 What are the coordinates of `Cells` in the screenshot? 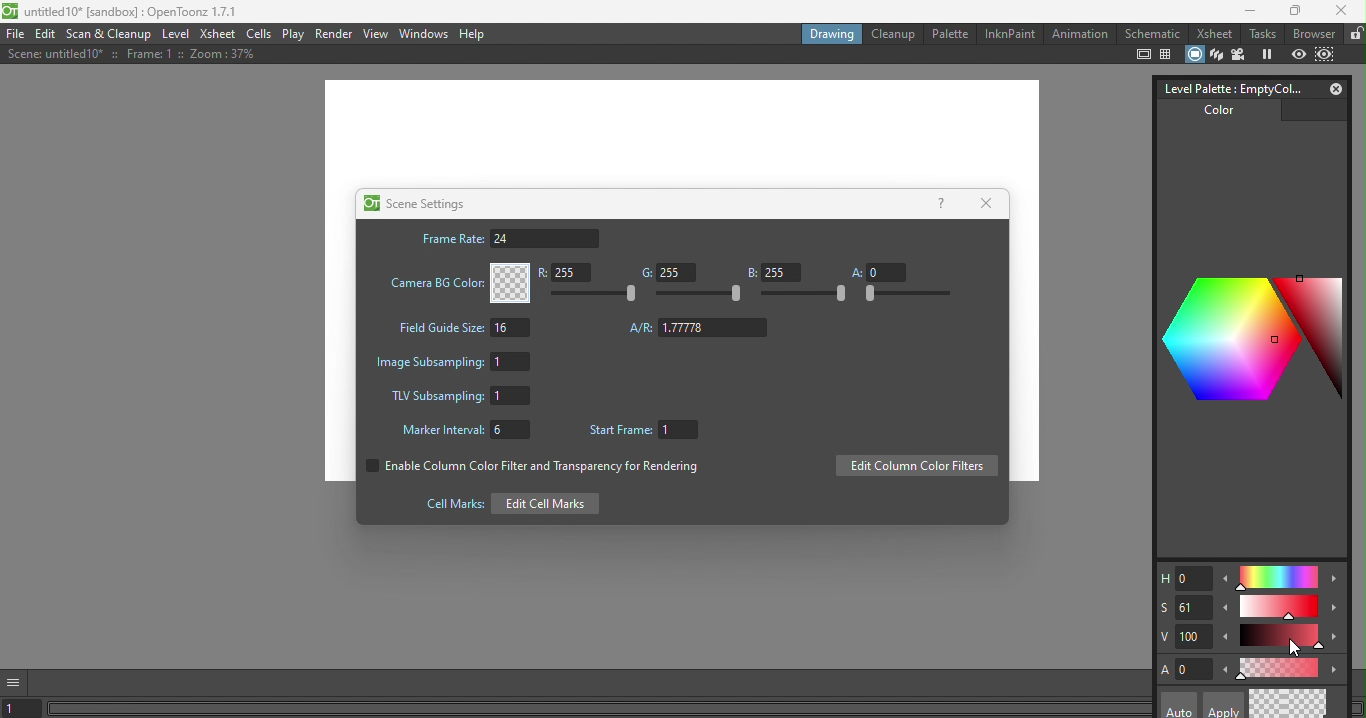 It's located at (260, 34).